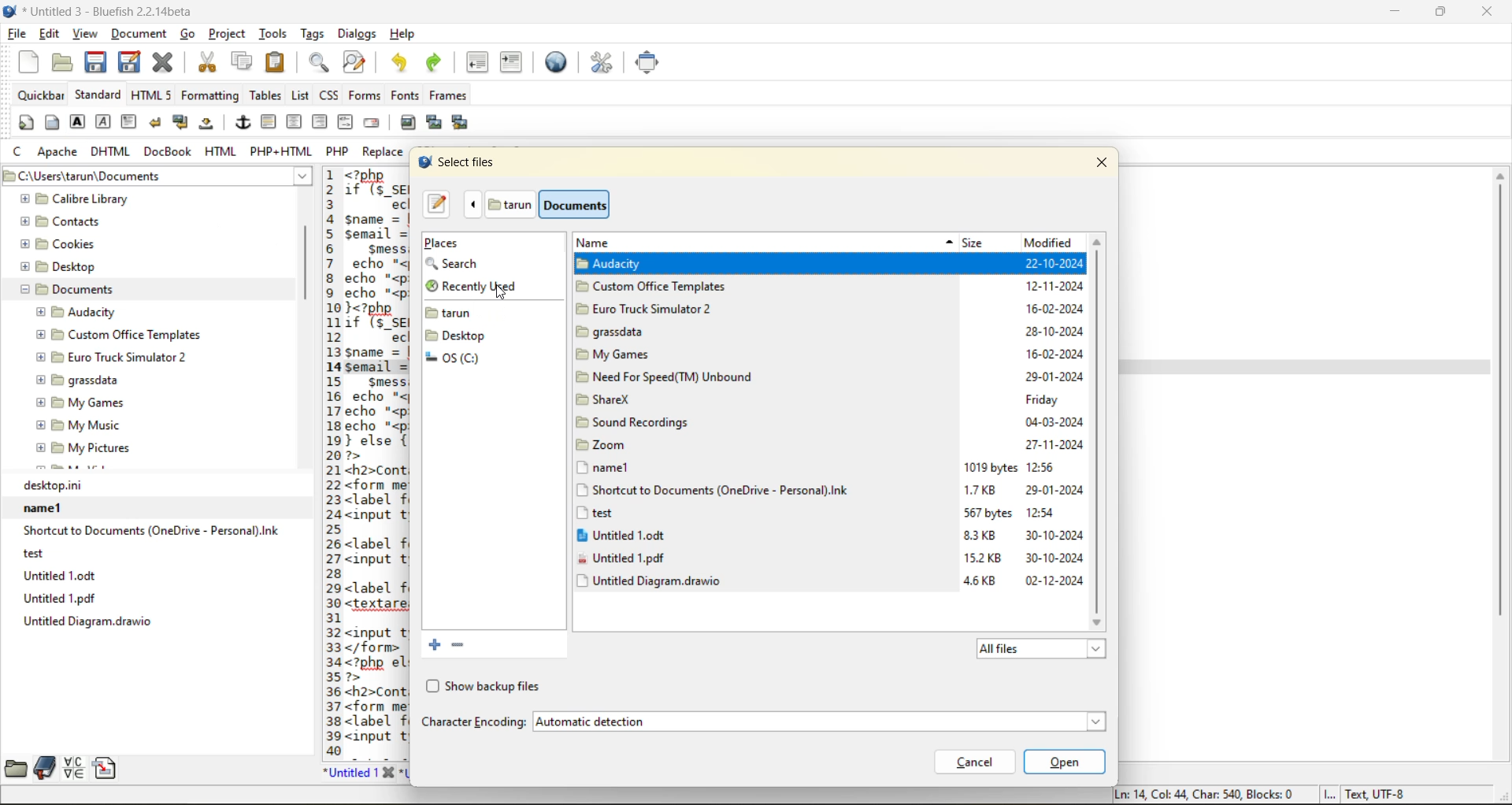  I want to click on cancel, so click(973, 762).